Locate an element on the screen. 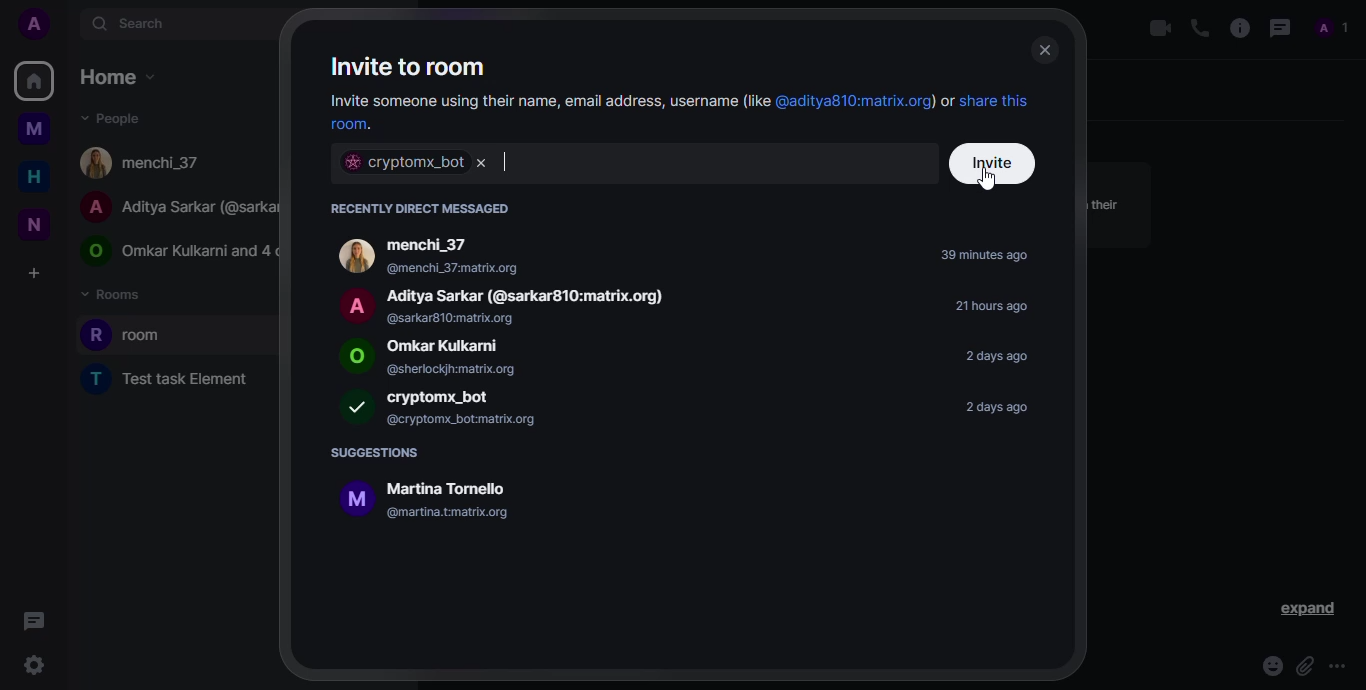 The width and height of the screenshot is (1366, 690). home is located at coordinates (34, 177).